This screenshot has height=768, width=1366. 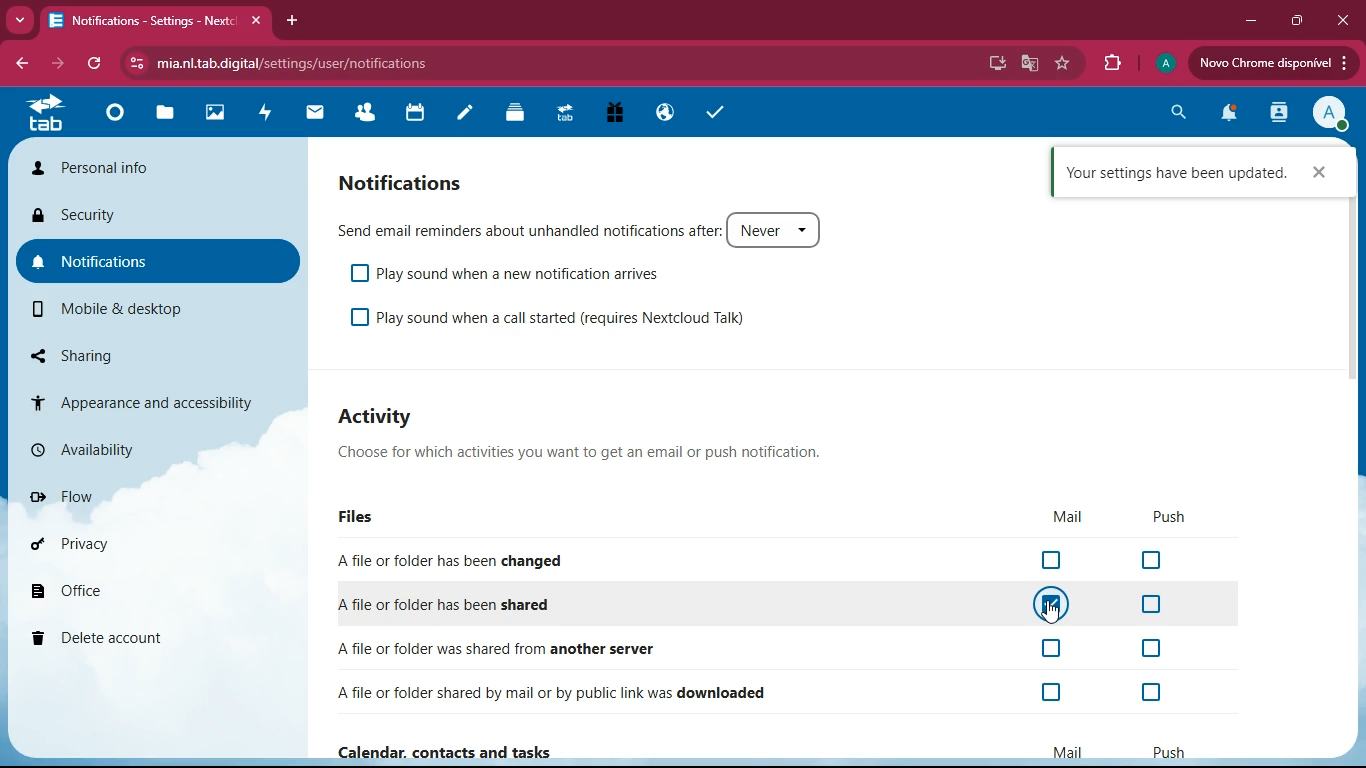 What do you see at coordinates (511, 273) in the screenshot?
I see `play sound` at bounding box center [511, 273].